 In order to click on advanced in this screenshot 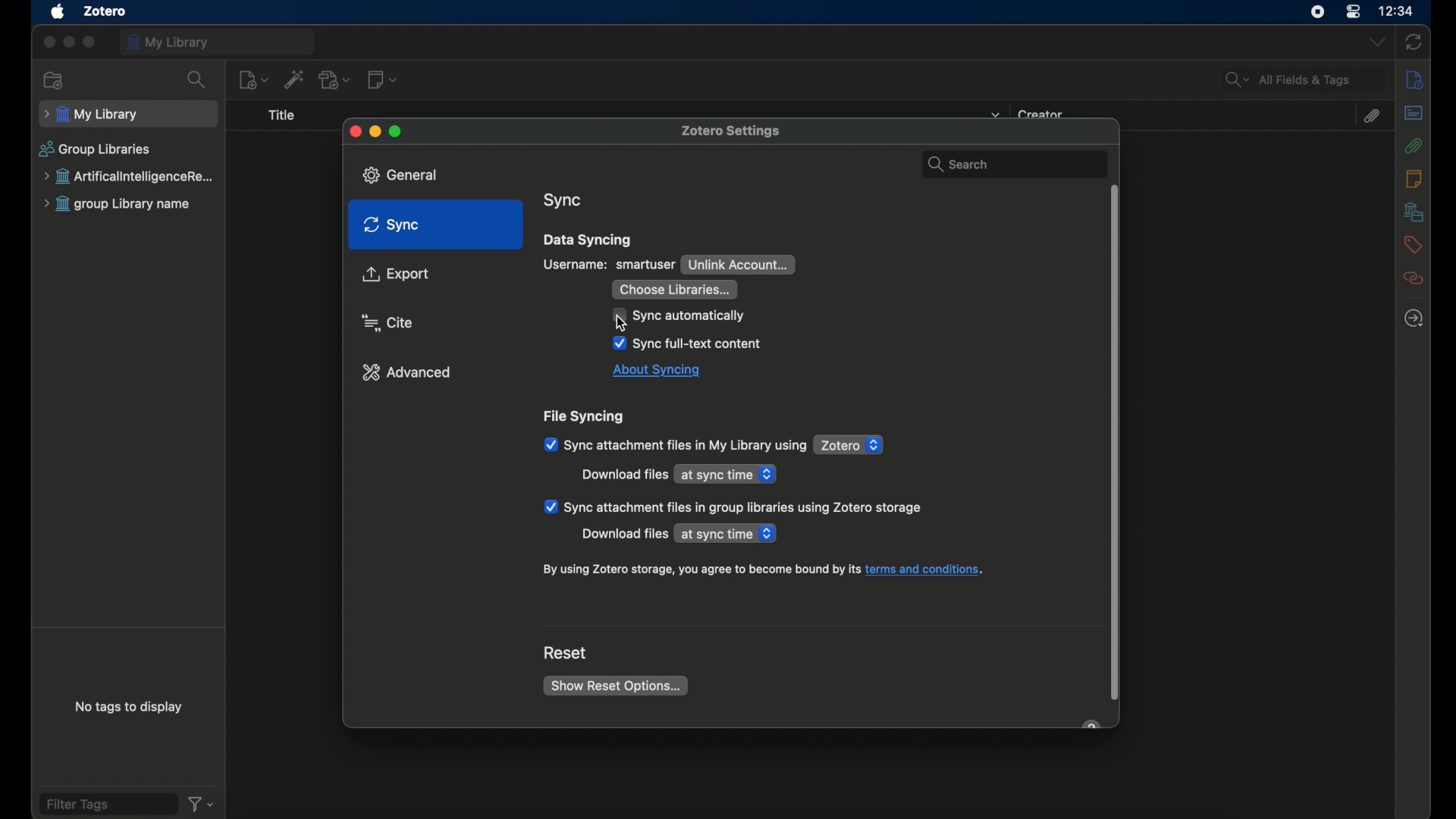, I will do `click(407, 372)`.